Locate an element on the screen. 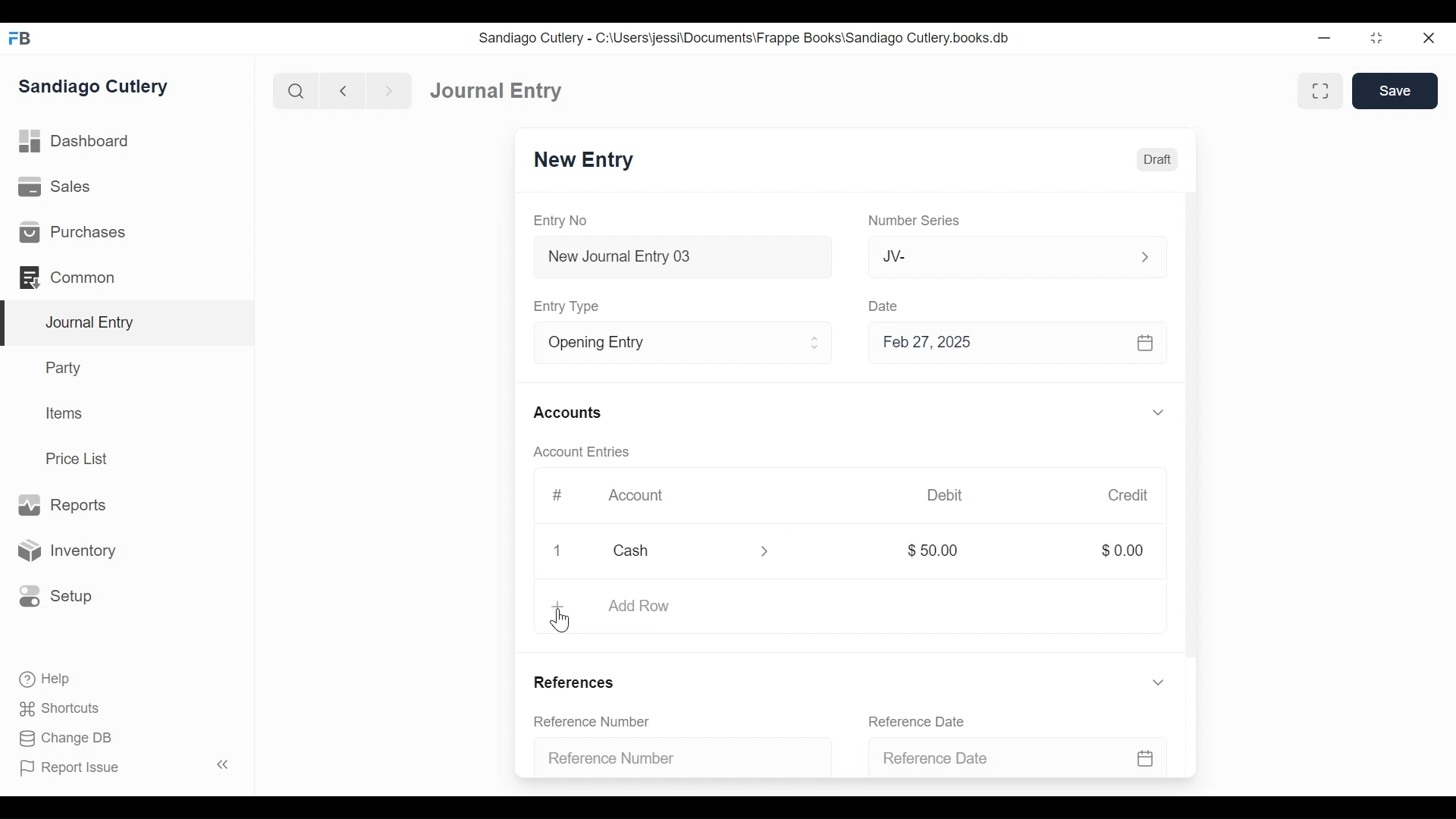 The image size is (1456, 819). Change DB is located at coordinates (64, 739).